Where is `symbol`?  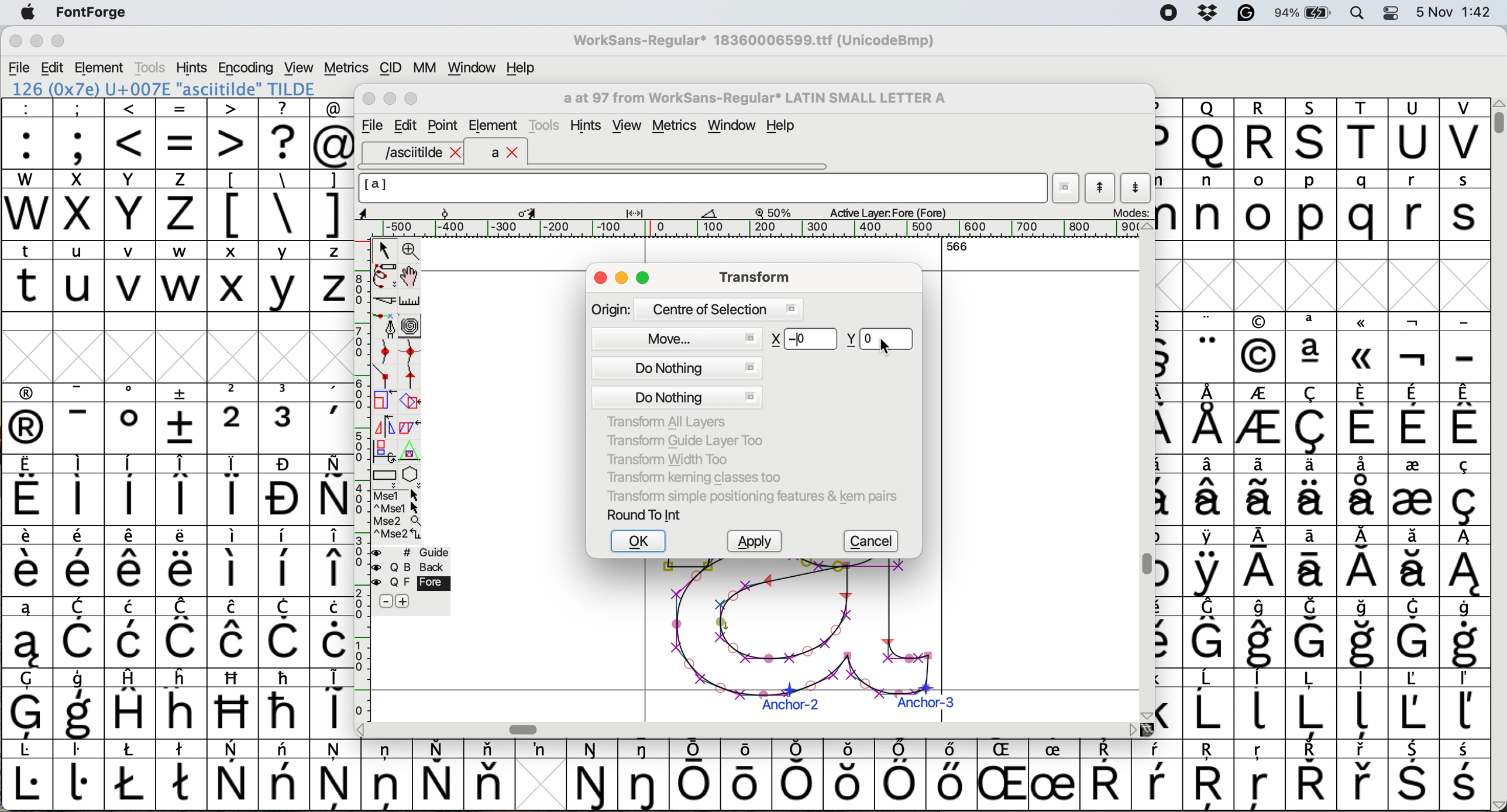
symbol is located at coordinates (1466, 418).